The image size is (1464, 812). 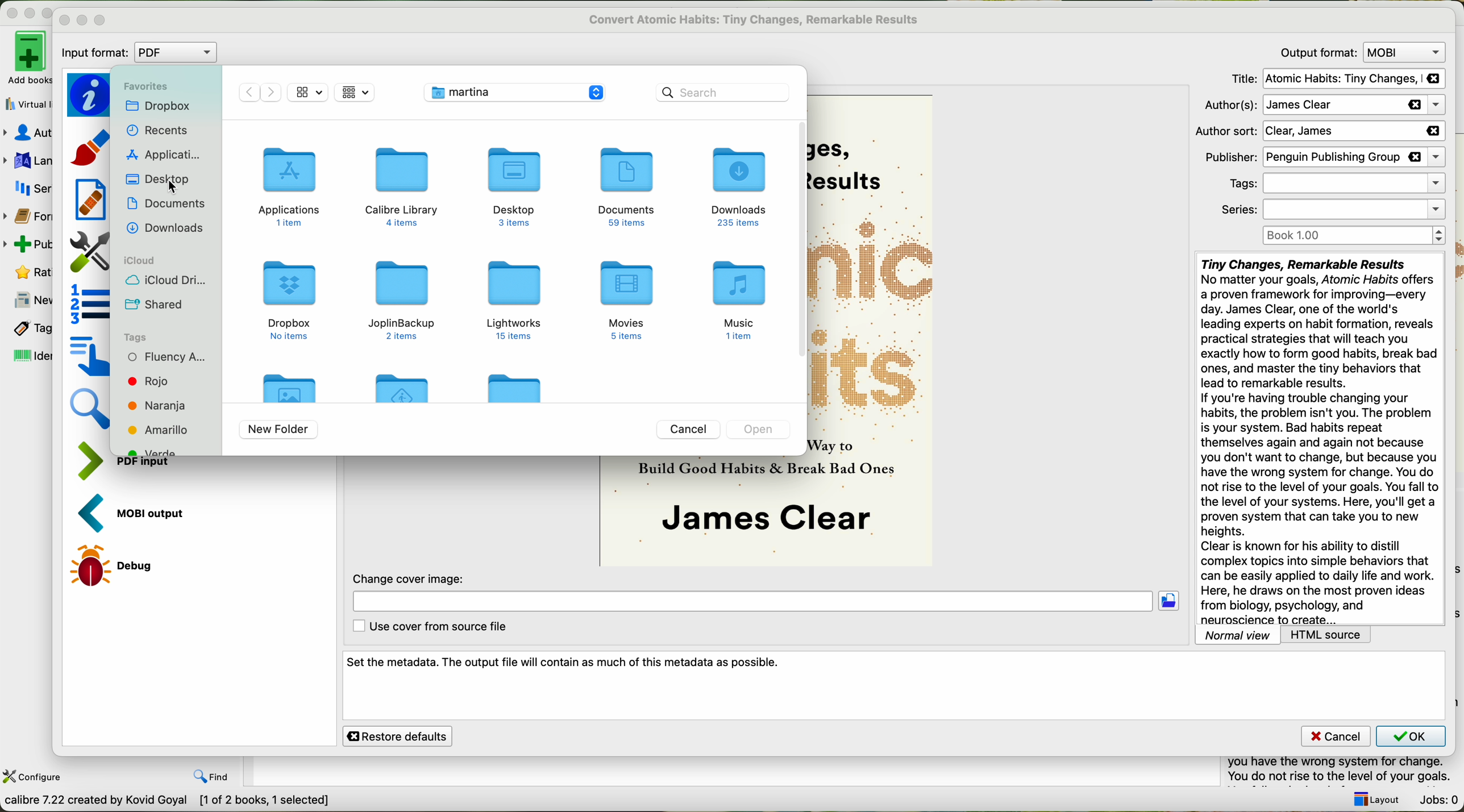 I want to click on layout, so click(x=1373, y=799).